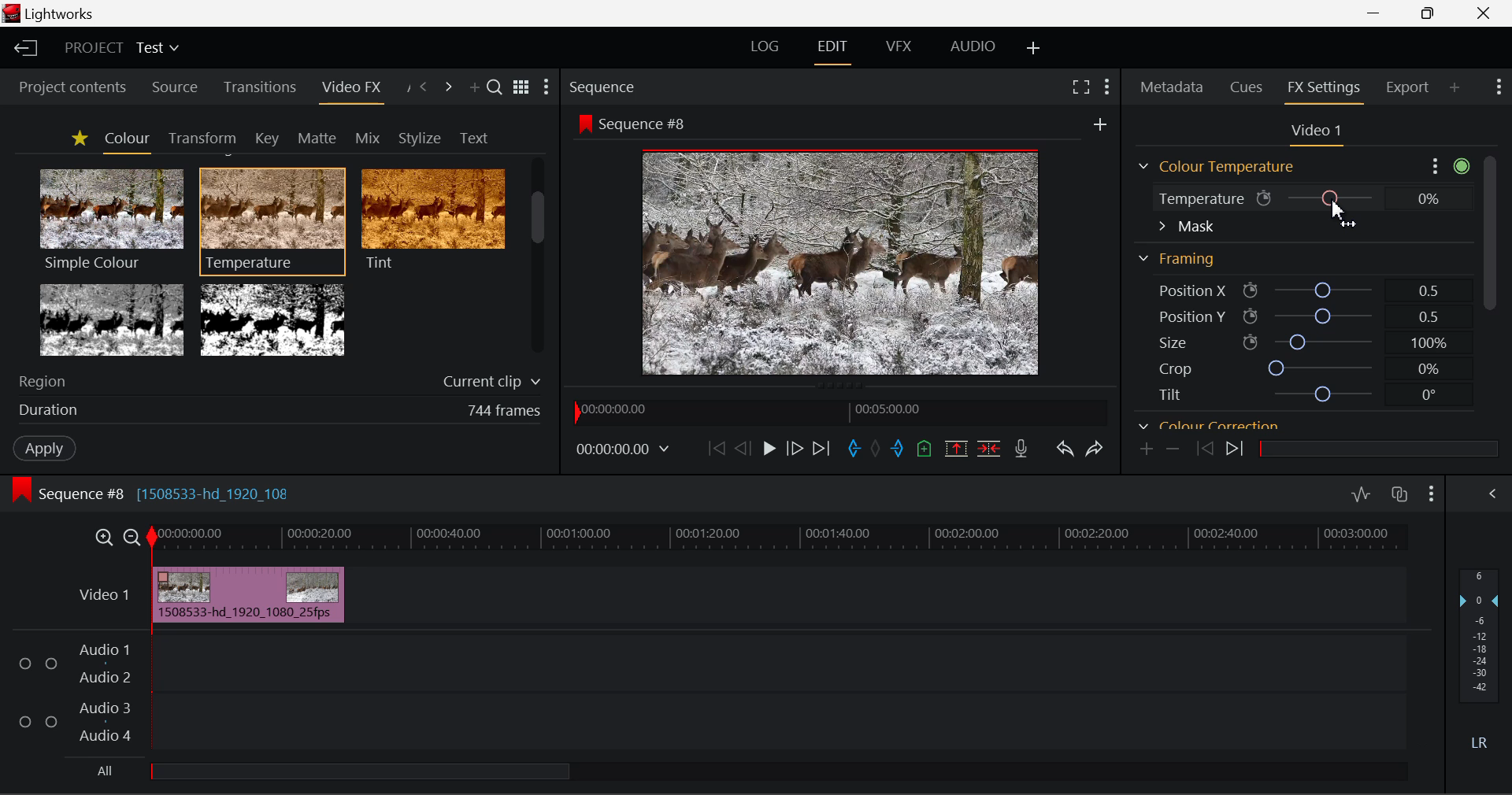 The height and width of the screenshot is (795, 1512). Describe the element at coordinates (1447, 165) in the screenshot. I see `Show Settings` at that location.